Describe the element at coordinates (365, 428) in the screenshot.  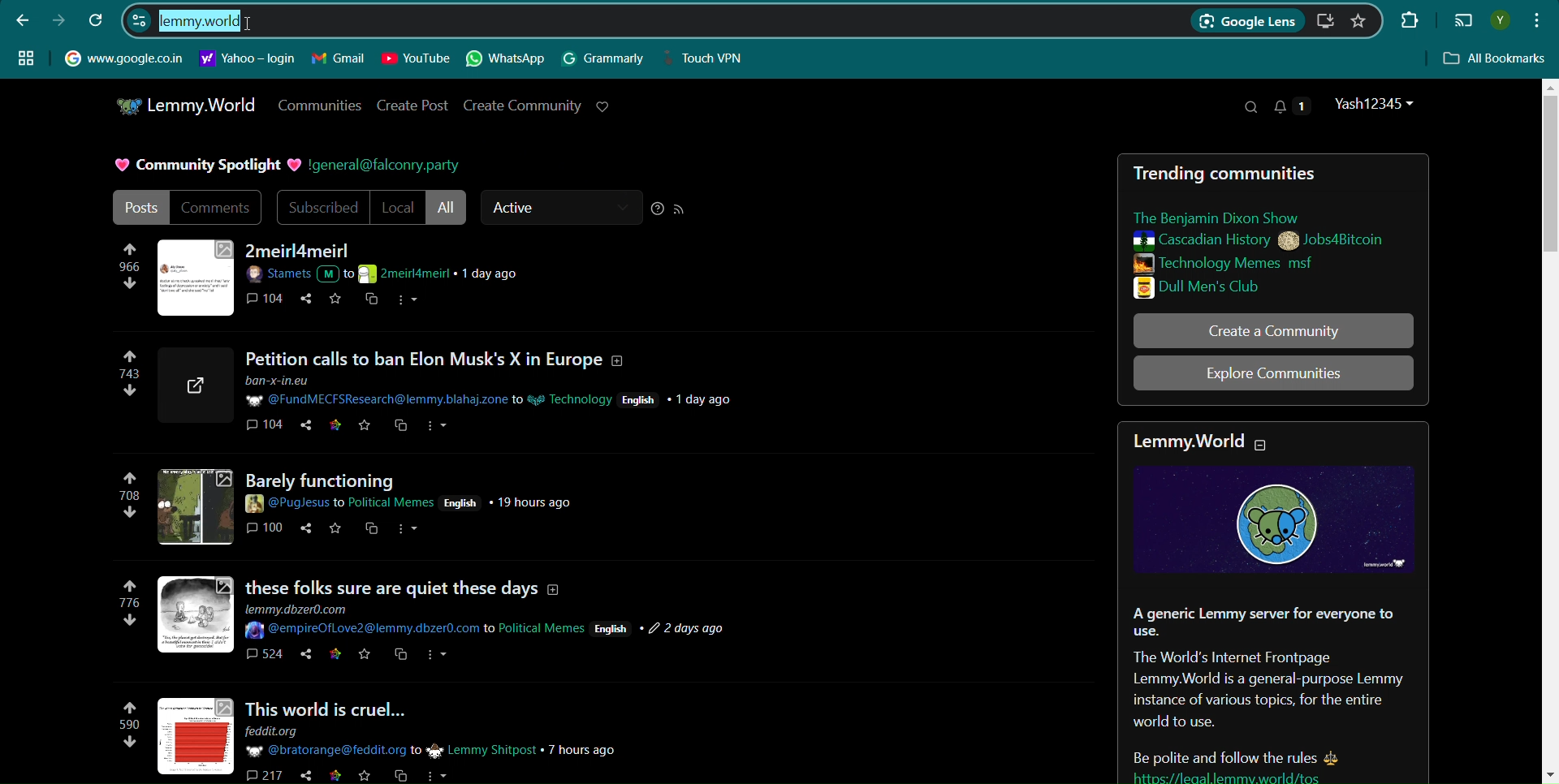
I see `star` at that location.